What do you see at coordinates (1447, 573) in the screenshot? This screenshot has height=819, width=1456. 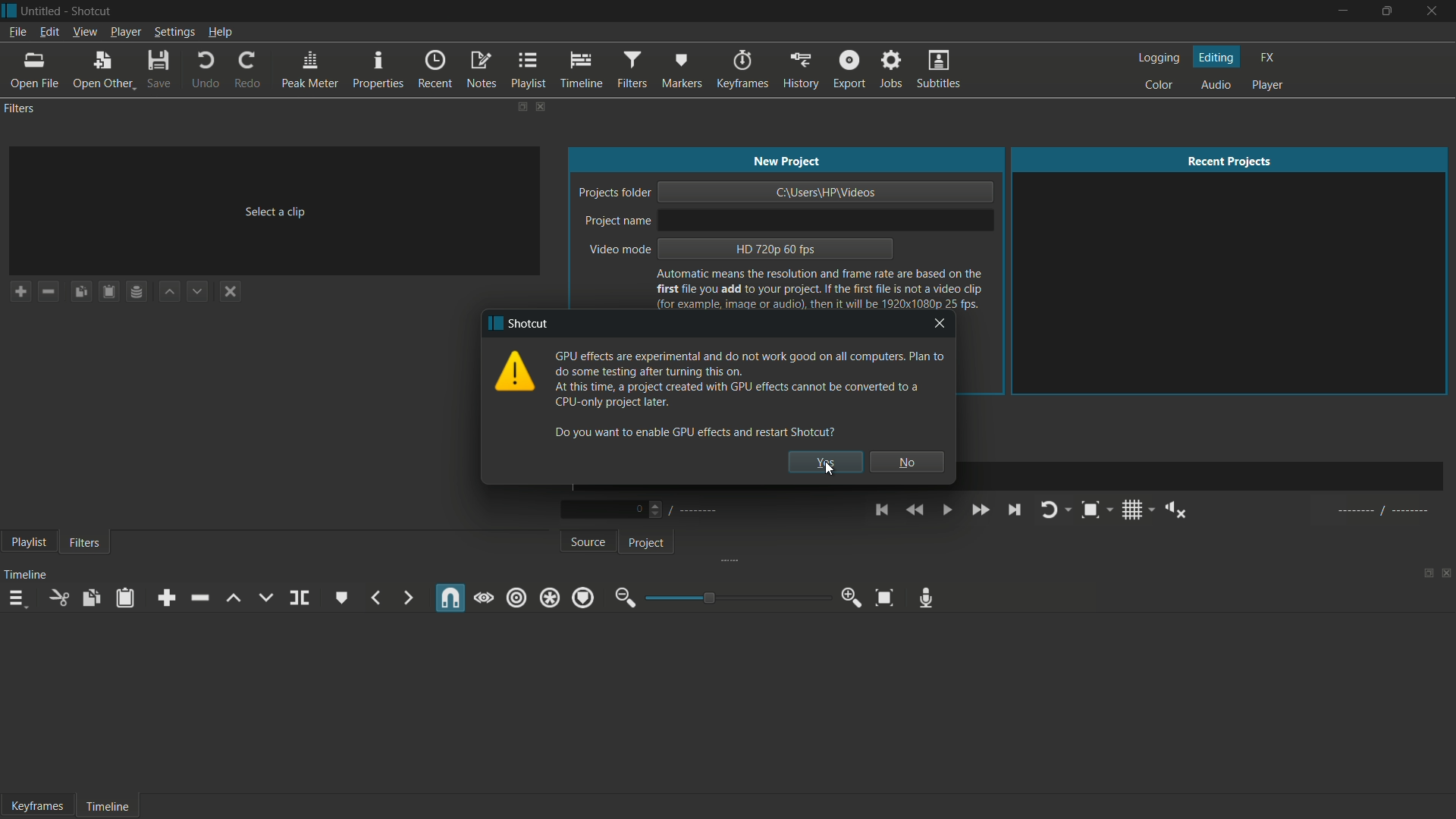 I see `close timeline` at bounding box center [1447, 573].